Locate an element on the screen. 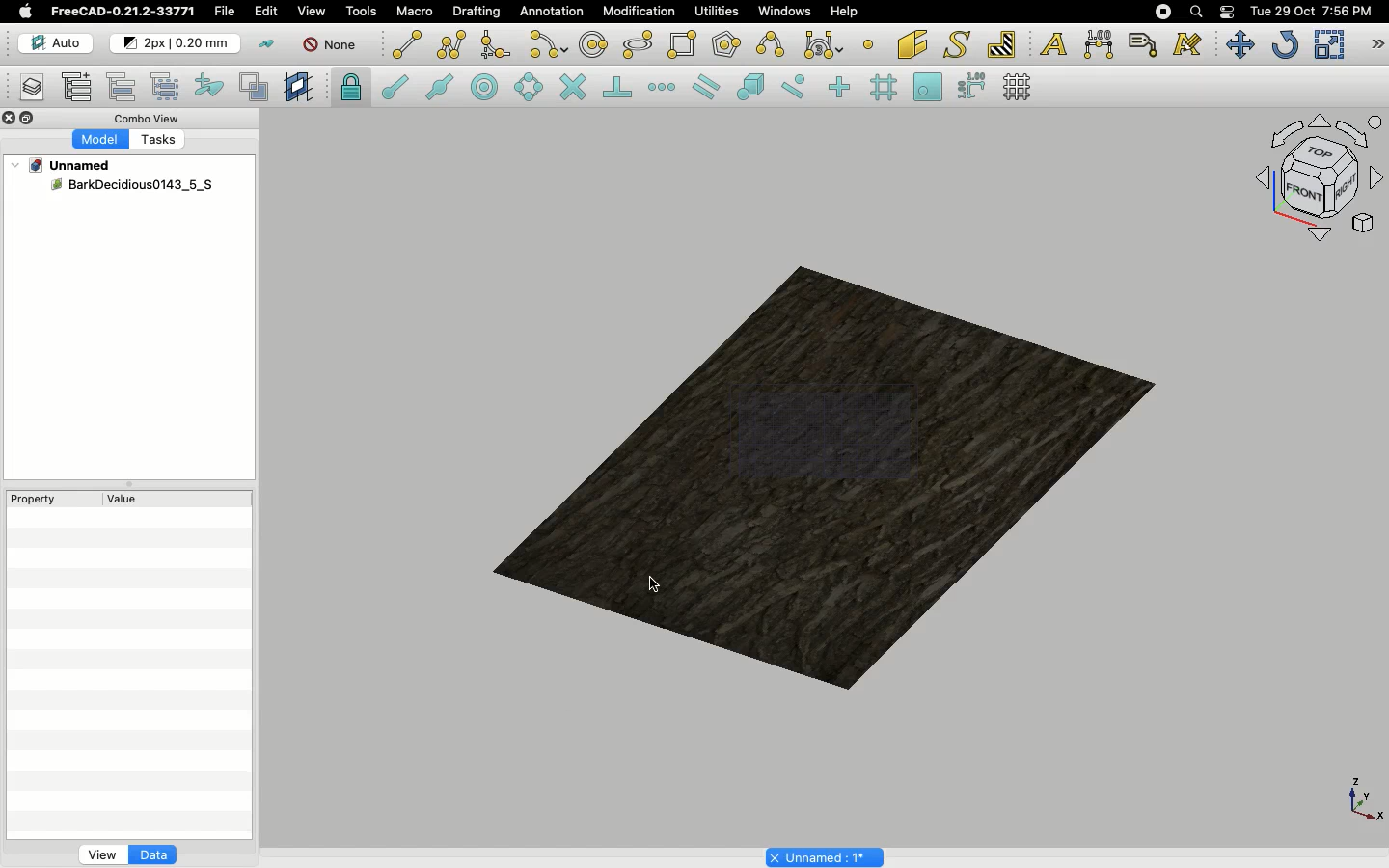  Collapse is located at coordinates (28, 119).